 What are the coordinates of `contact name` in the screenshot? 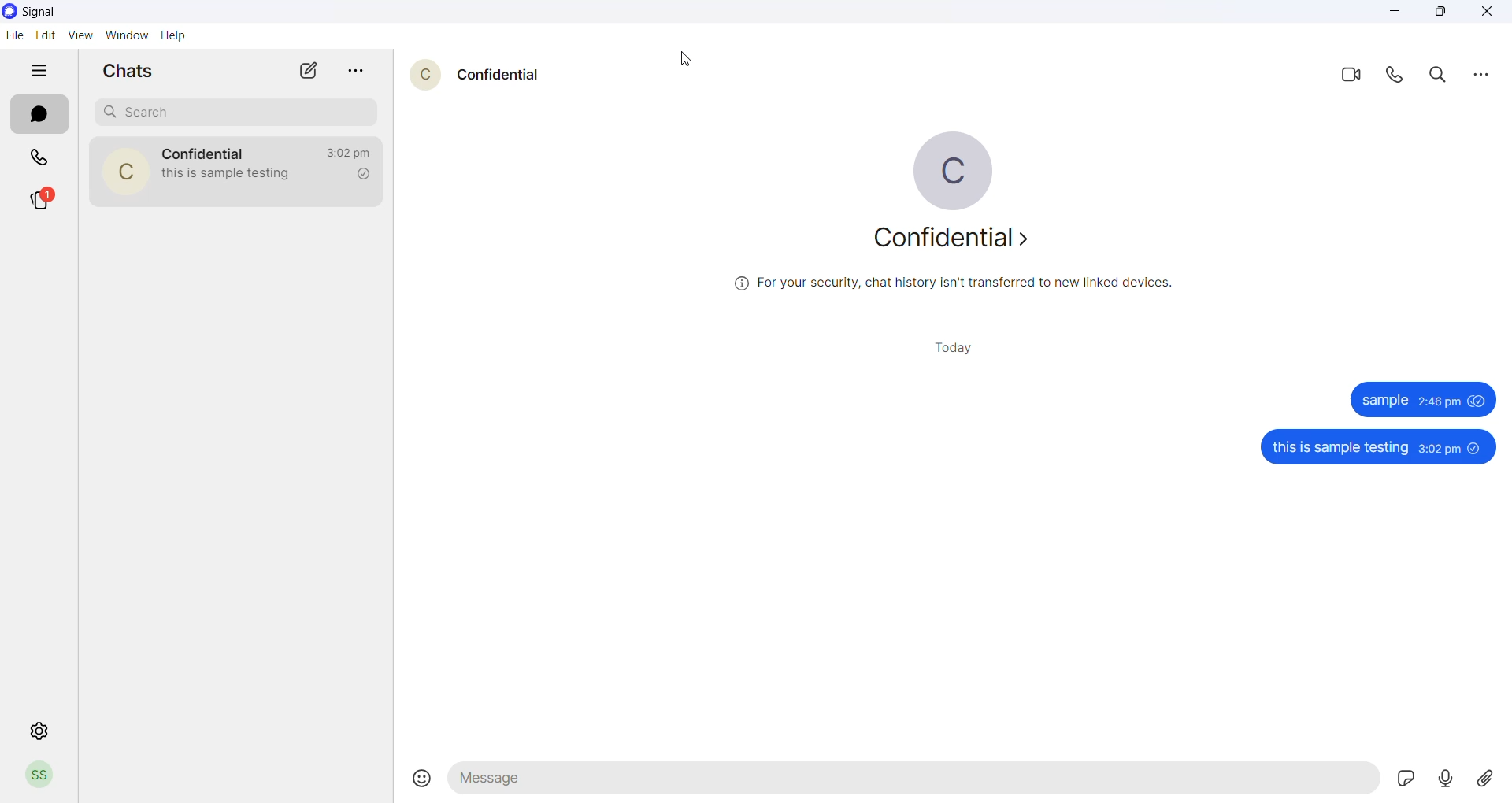 It's located at (498, 74).